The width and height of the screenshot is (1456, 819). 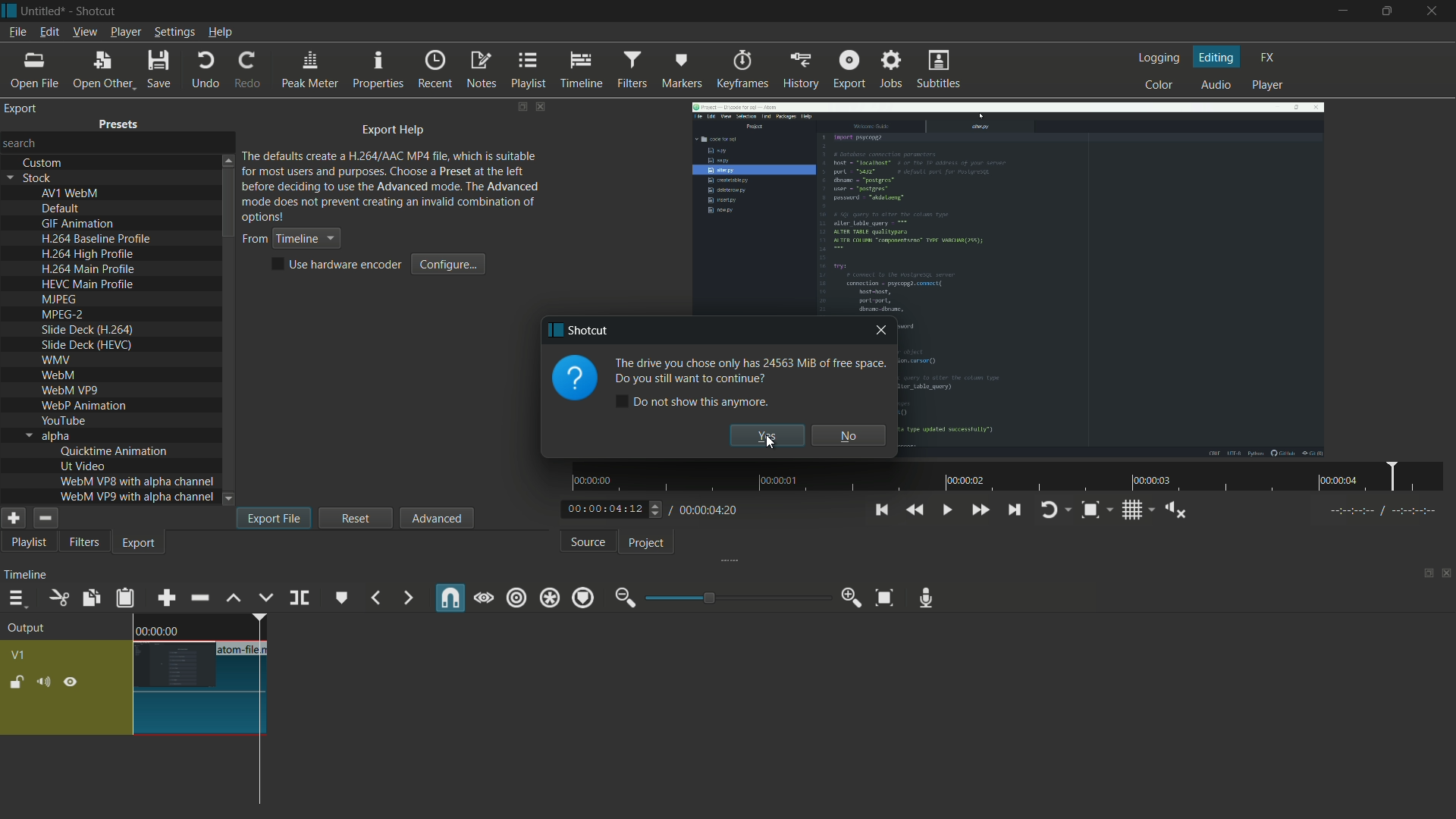 What do you see at coordinates (746, 372) in the screenshot?
I see `text` at bounding box center [746, 372].